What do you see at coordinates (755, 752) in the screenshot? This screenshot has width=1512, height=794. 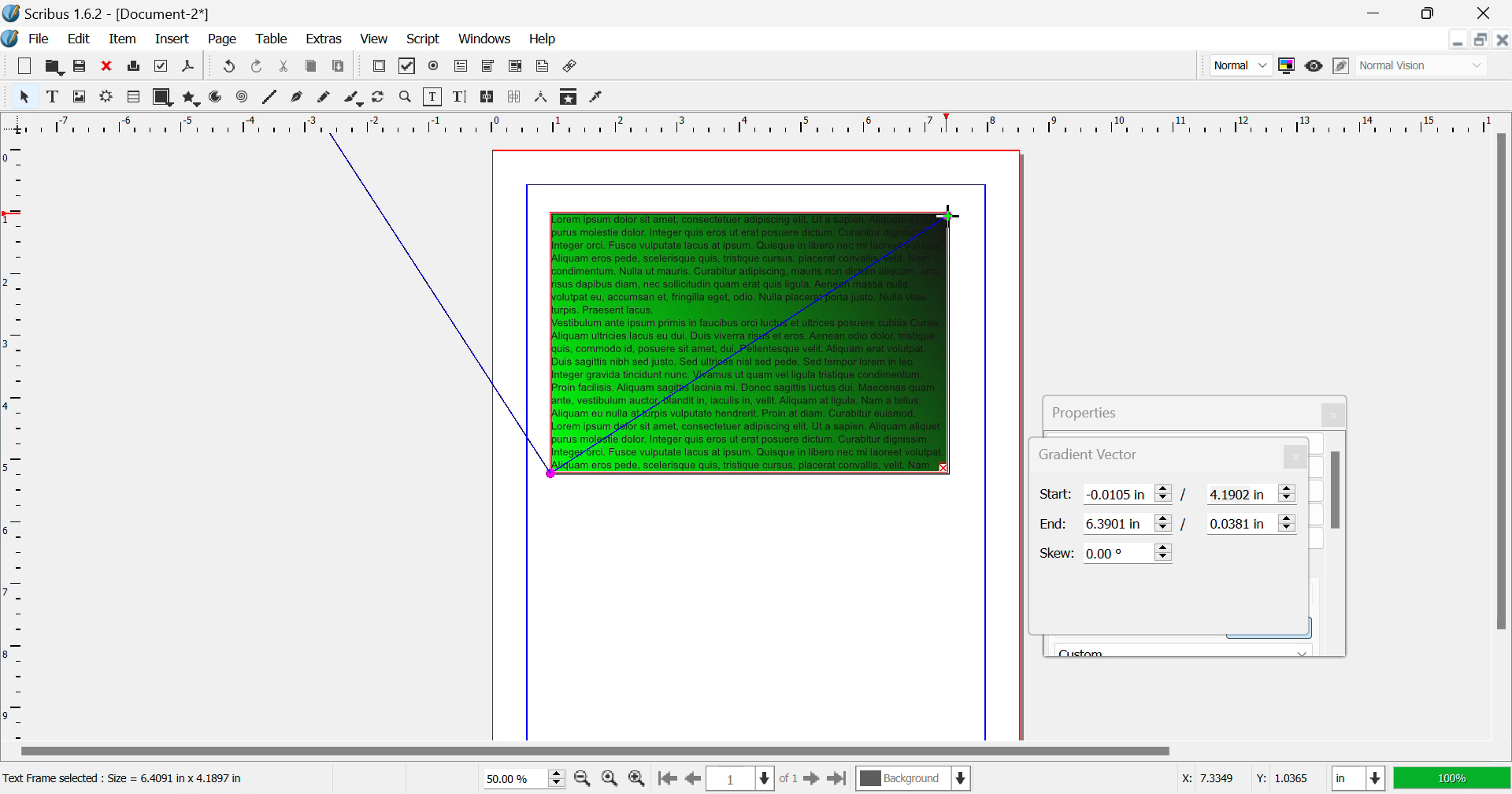 I see `Scroll Bar` at bounding box center [755, 752].